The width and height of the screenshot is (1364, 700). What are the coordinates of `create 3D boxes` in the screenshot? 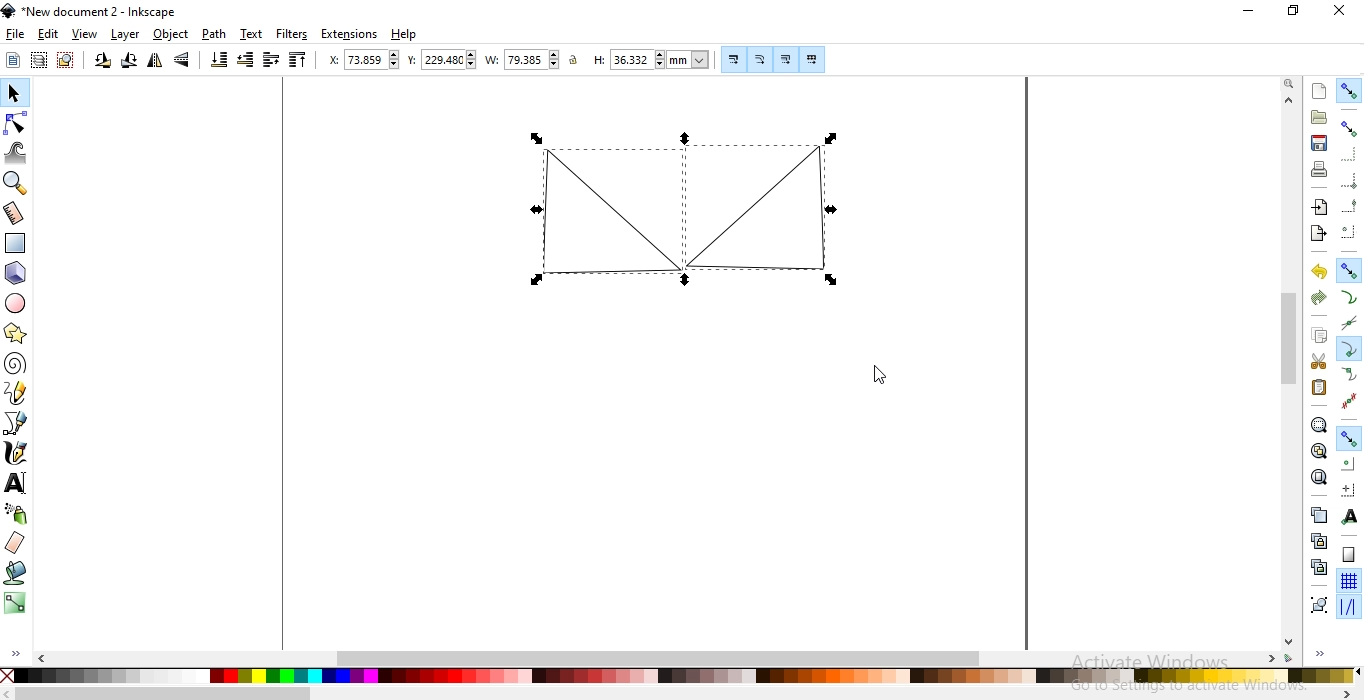 It's located at (15, 274).